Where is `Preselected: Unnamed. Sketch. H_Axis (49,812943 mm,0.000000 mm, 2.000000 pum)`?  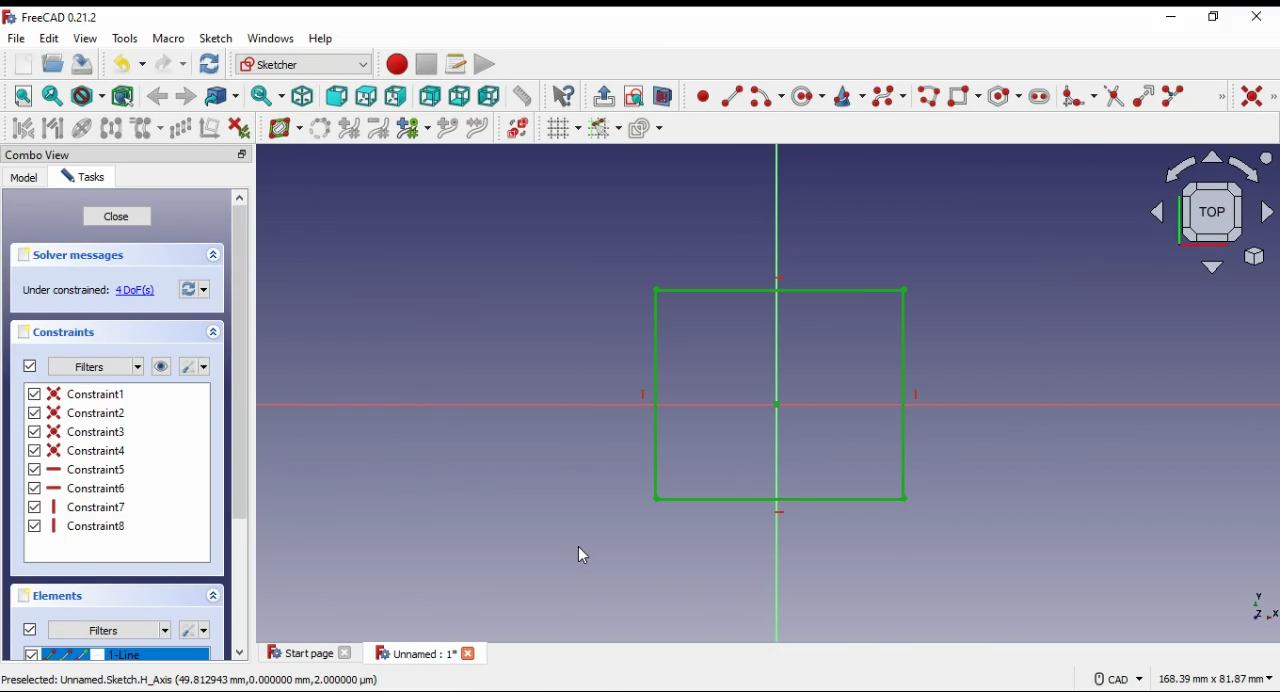 Preselected: Unnamed. Sketch. H_Axis (49,812943 mm,0.000000 mm, 2.000000 pum) is located at coordinates (193, 680).